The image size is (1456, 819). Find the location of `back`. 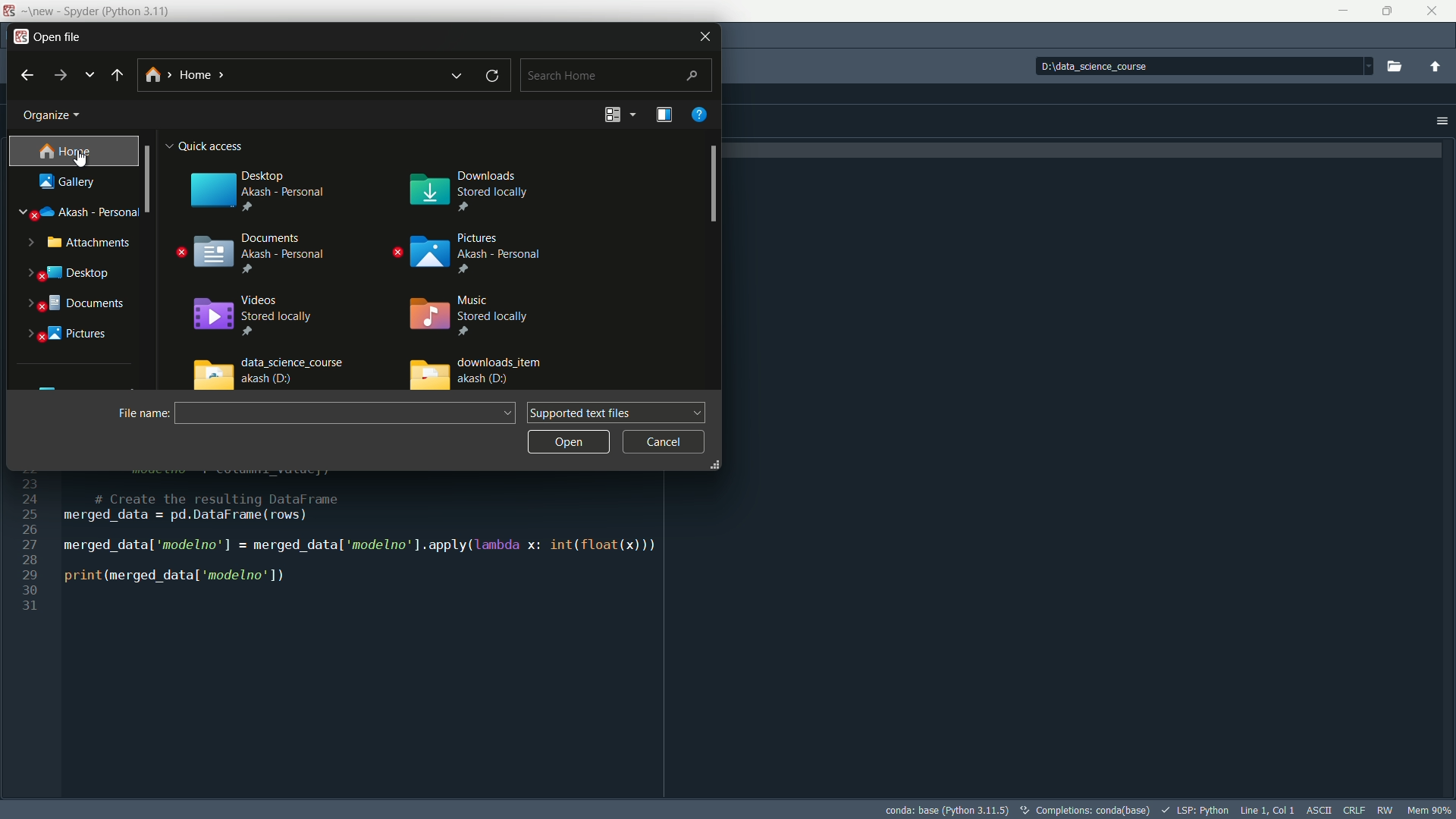

back is located at coordinates (117, 76).